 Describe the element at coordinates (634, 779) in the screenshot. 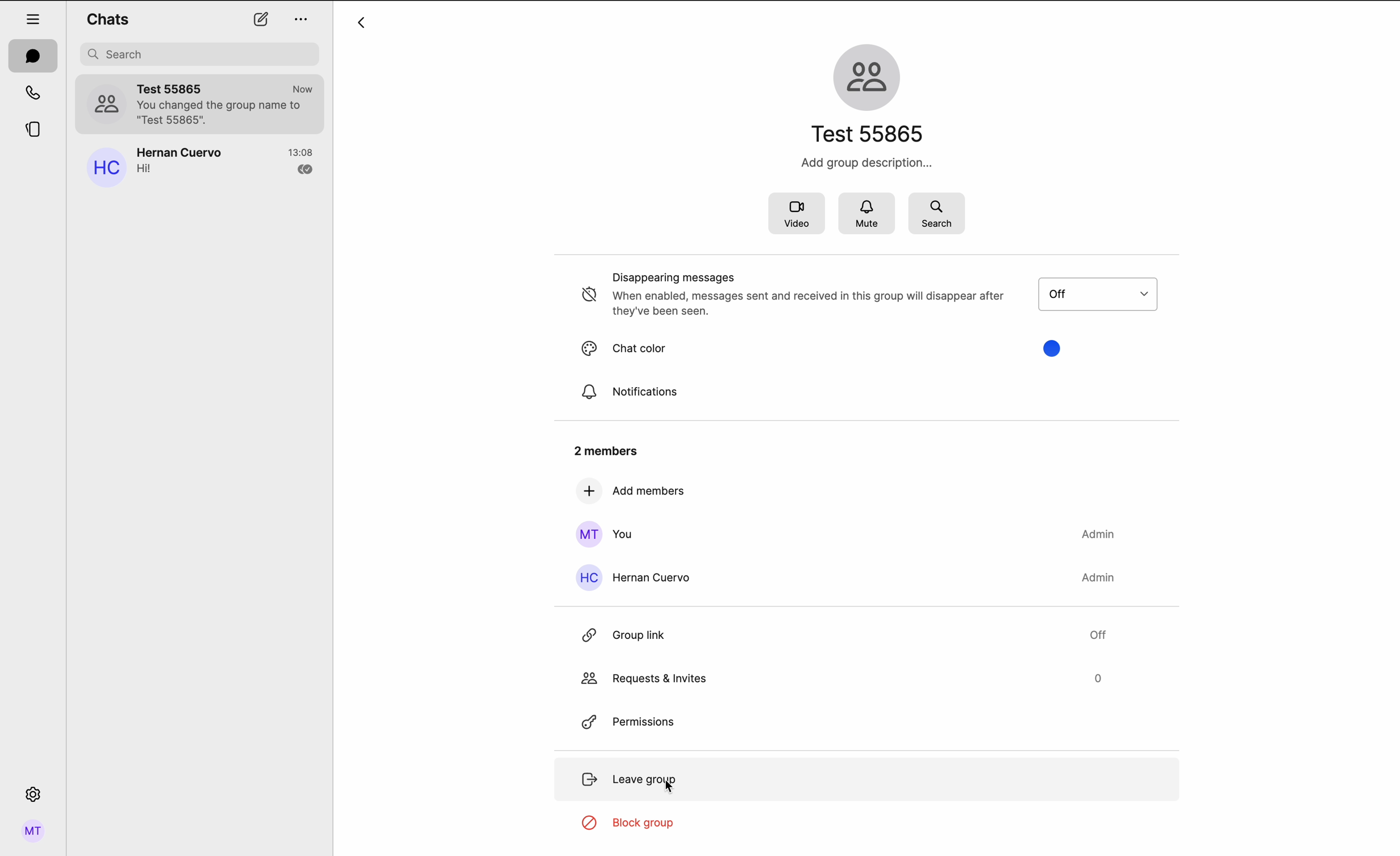

I see `click on leave group` at that location.